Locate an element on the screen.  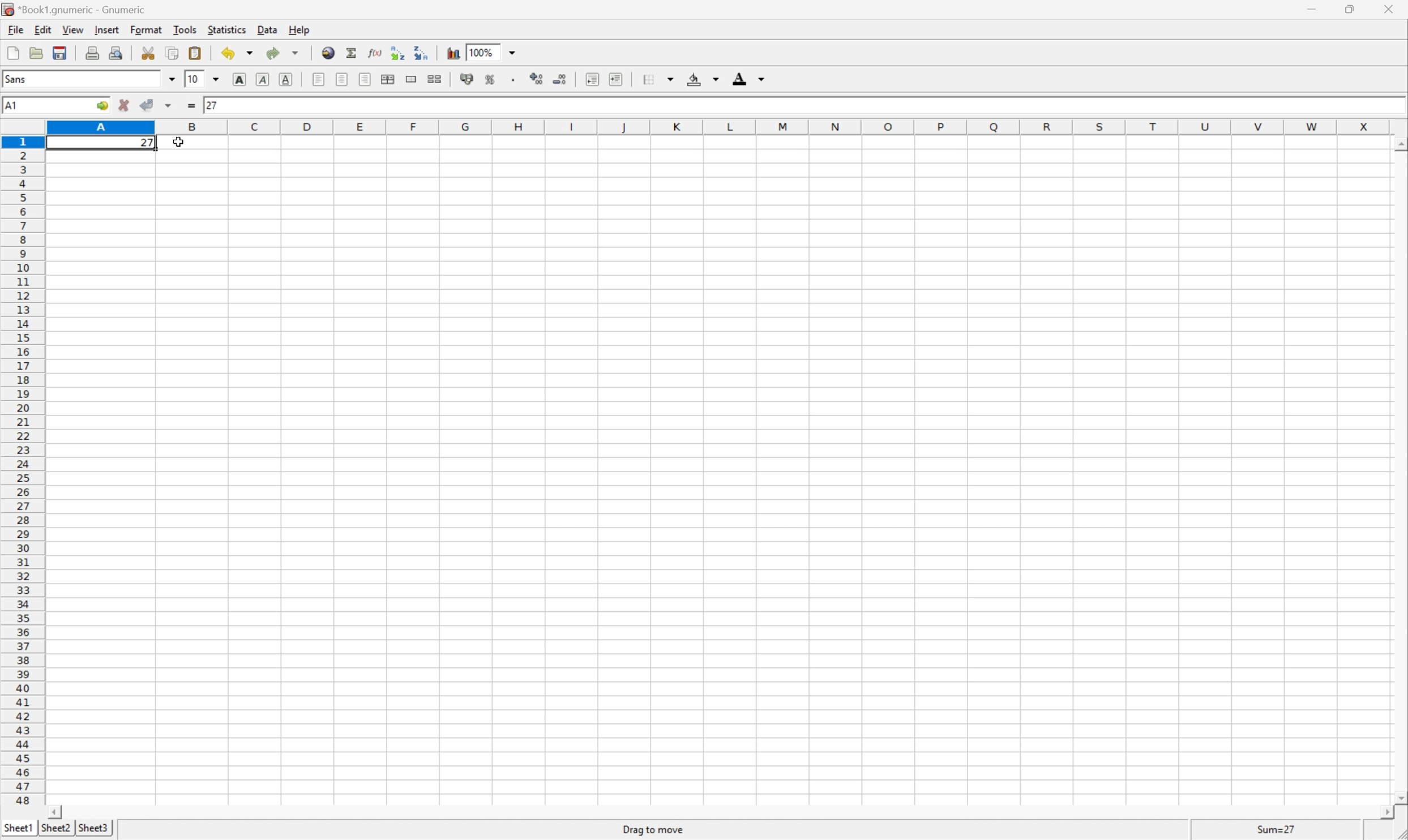
Drop Down is located at coordinates (173, 80).